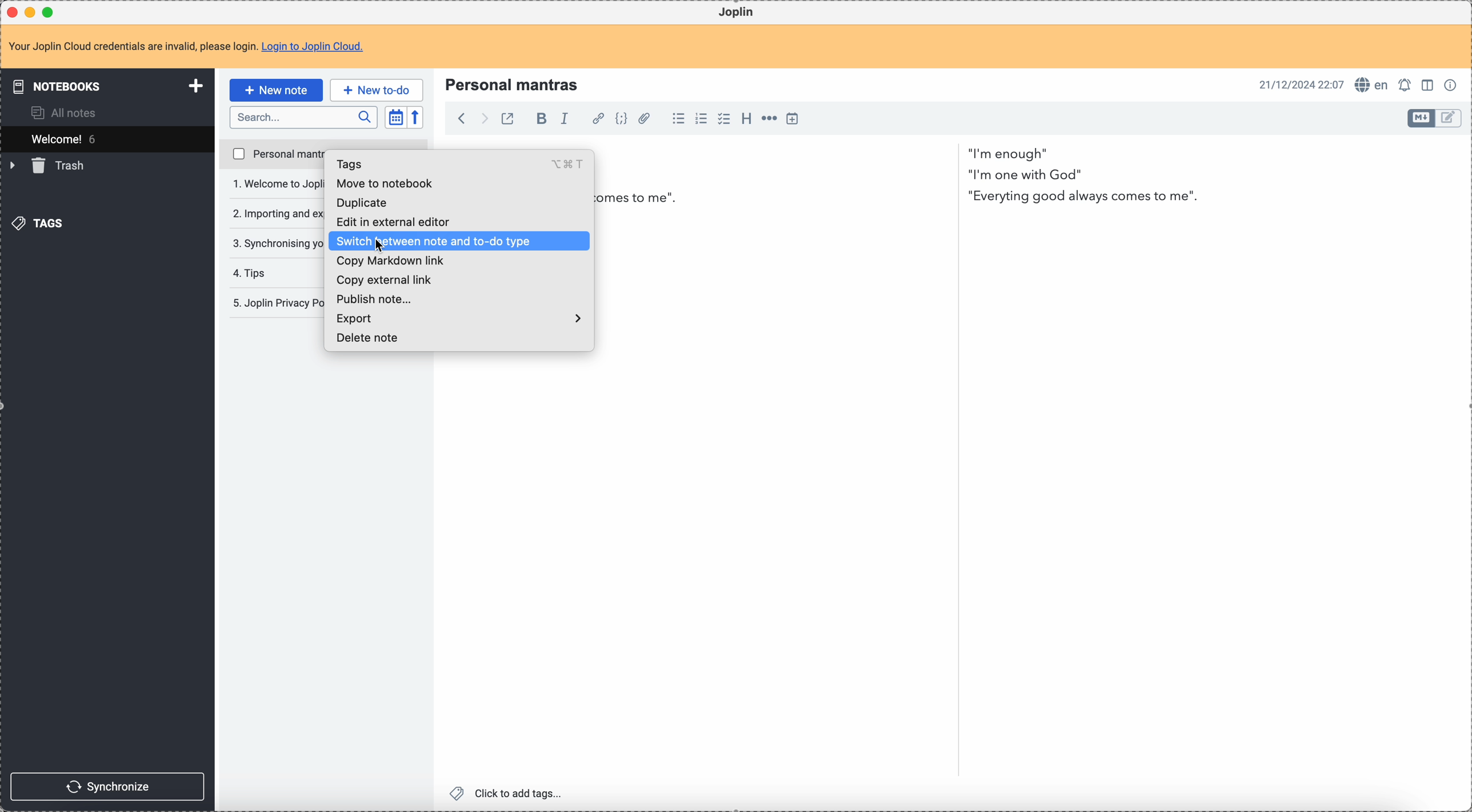 The image size is (1472, 812). Describe the element at coordinates (370, 200) in the screenshot. I see `duplicate` at that location.